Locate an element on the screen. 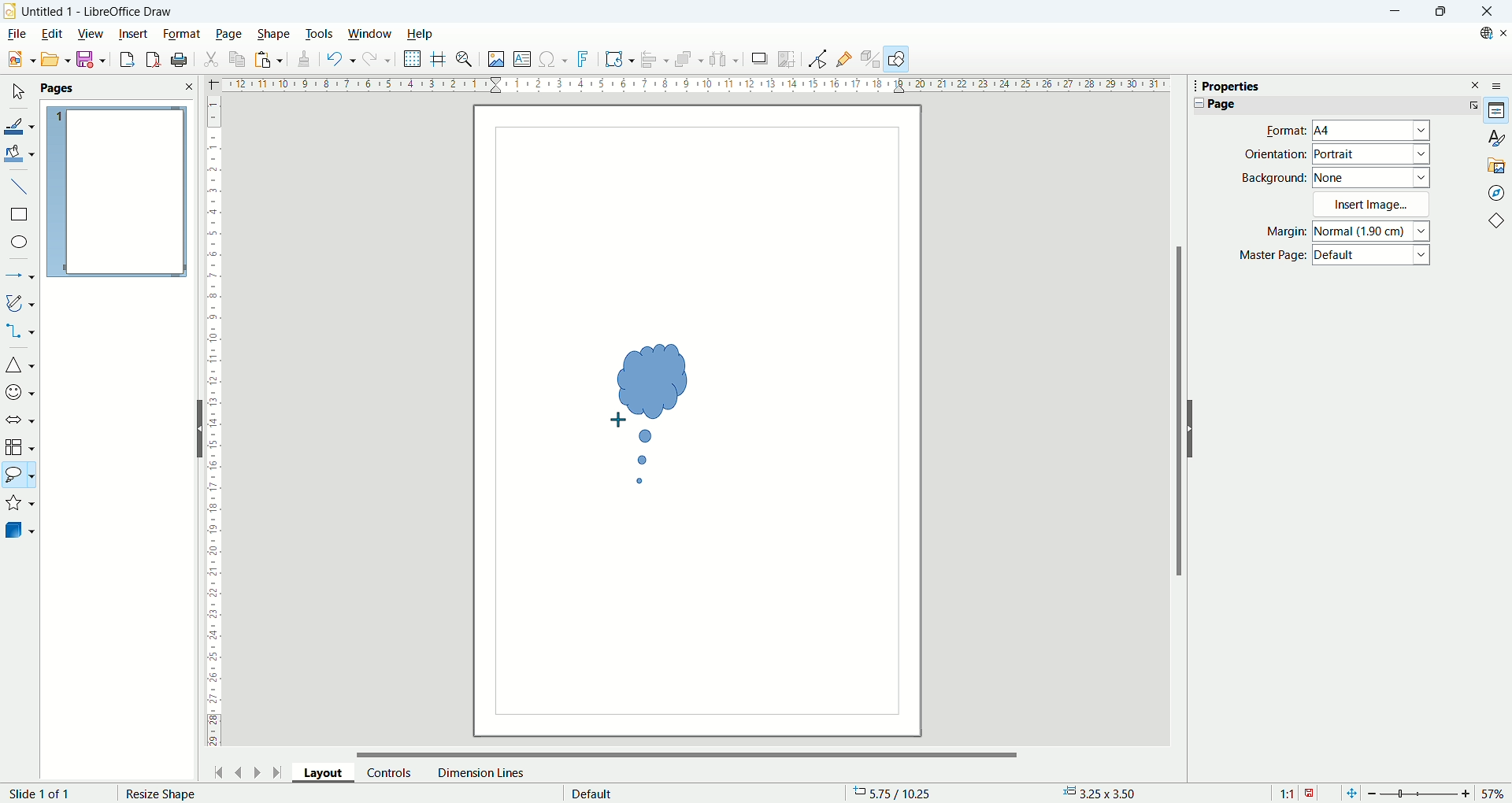 The height and width of the screenshot is (803, 1512). export is located at coordinates (123, 59).